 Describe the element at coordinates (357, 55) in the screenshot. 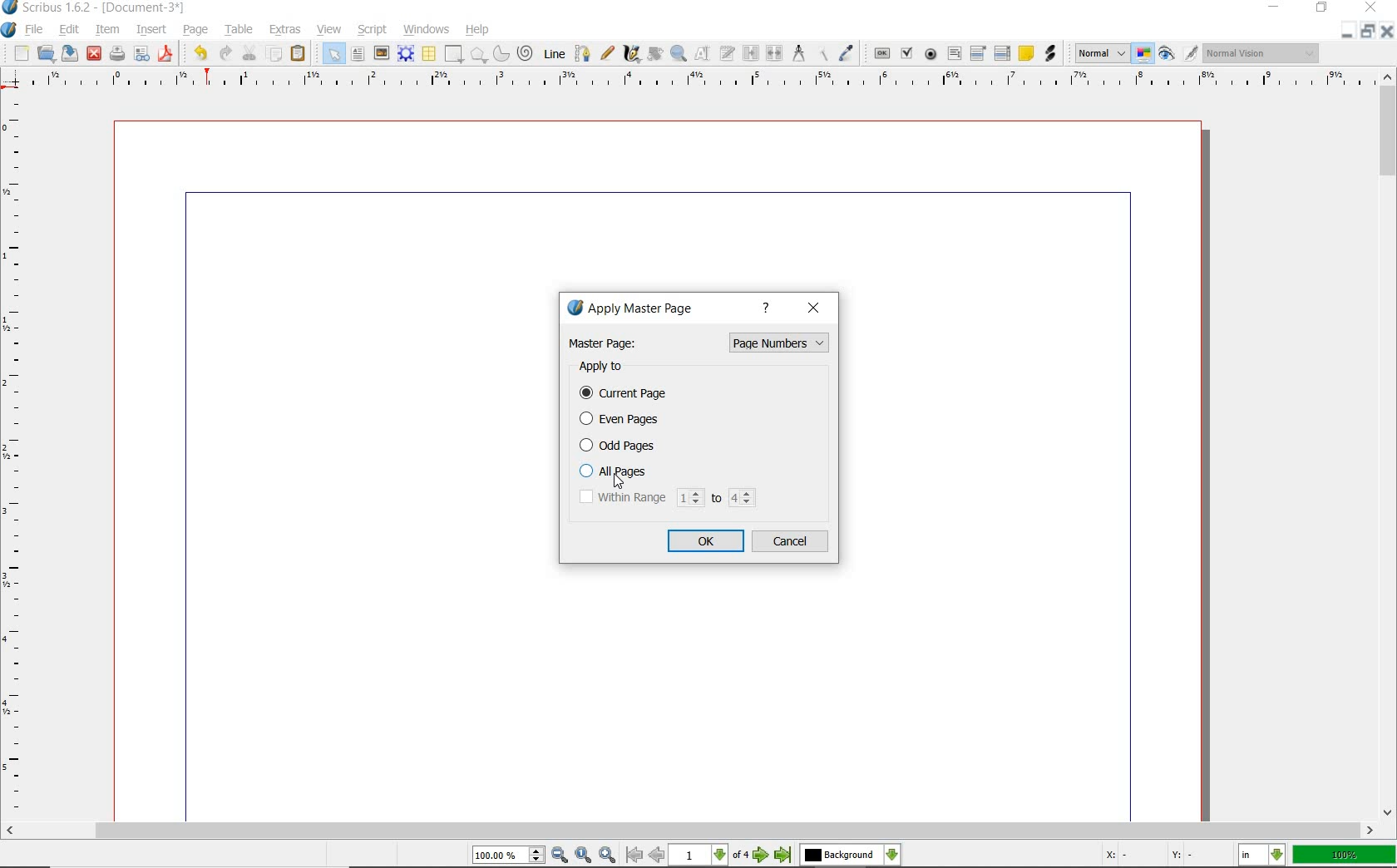

I see `text frame` at that location.